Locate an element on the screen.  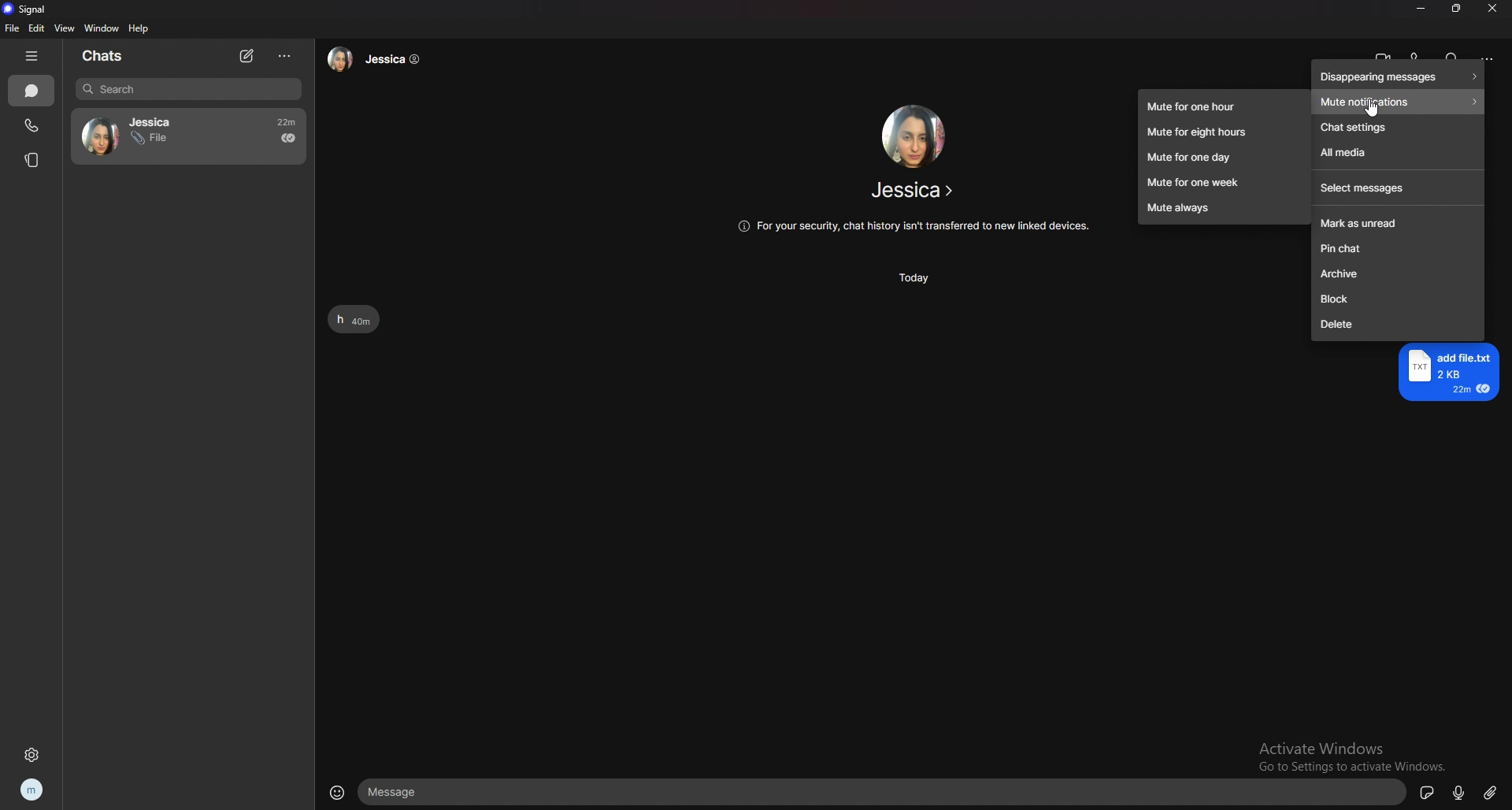
mute always is located at coordinates (1225, 208).